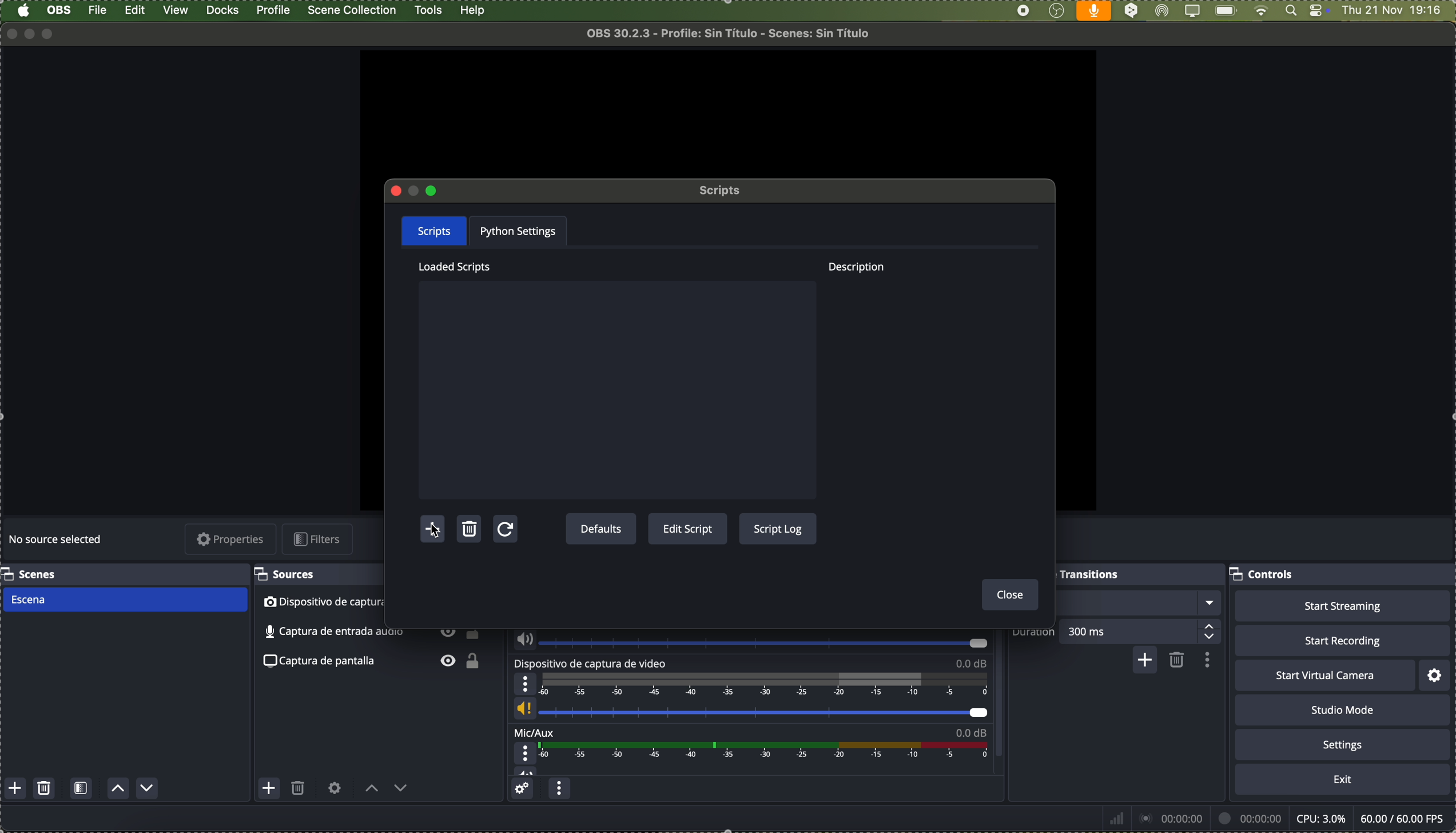 This screenshot has height=833, width=1456. What do you see at coordinates (434, 229) in the screenshot?
I see `scripts` at bounding box center [434, 229].